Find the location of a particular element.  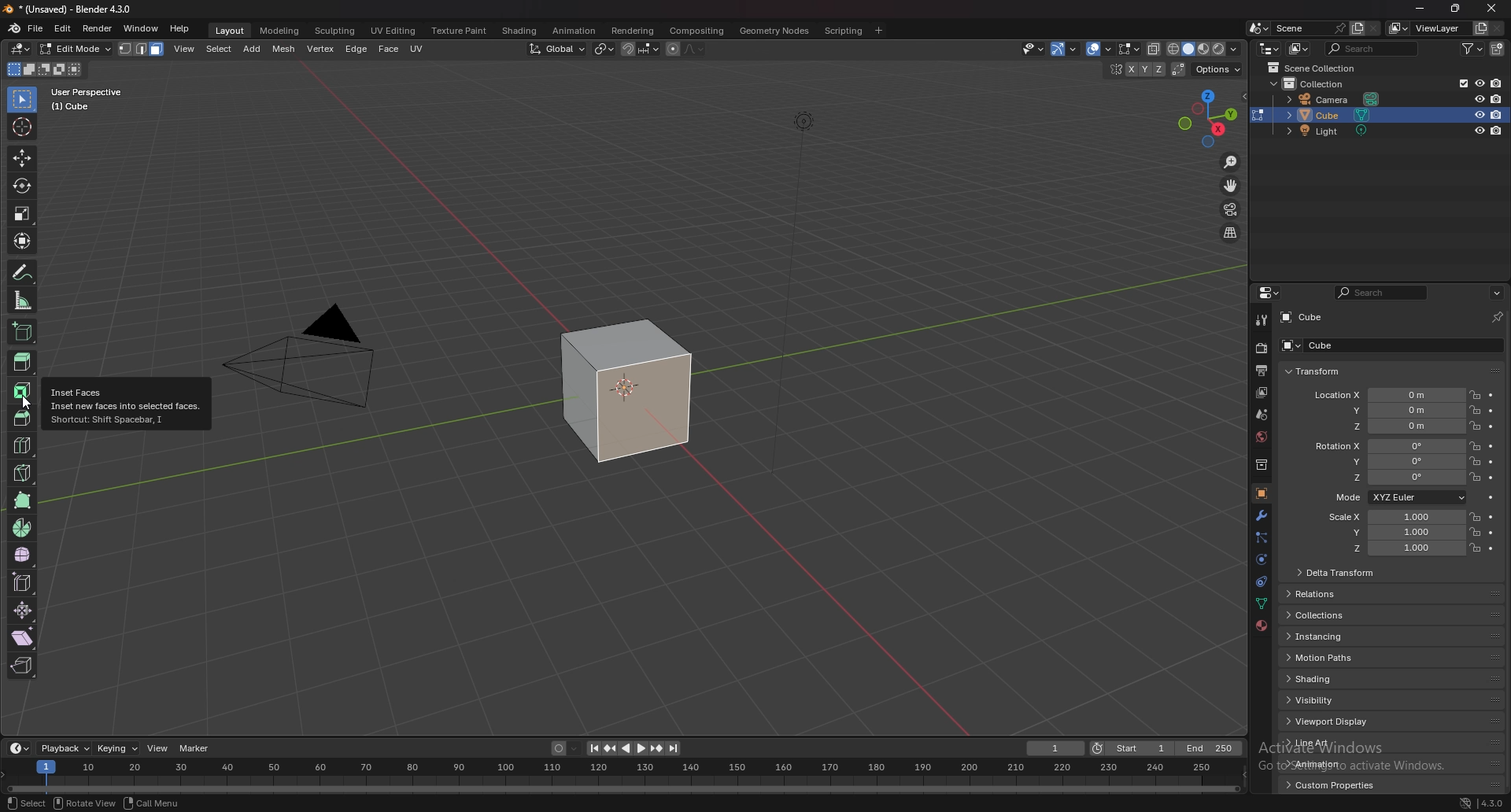

disable in render is located at coordinates (1495, 83).